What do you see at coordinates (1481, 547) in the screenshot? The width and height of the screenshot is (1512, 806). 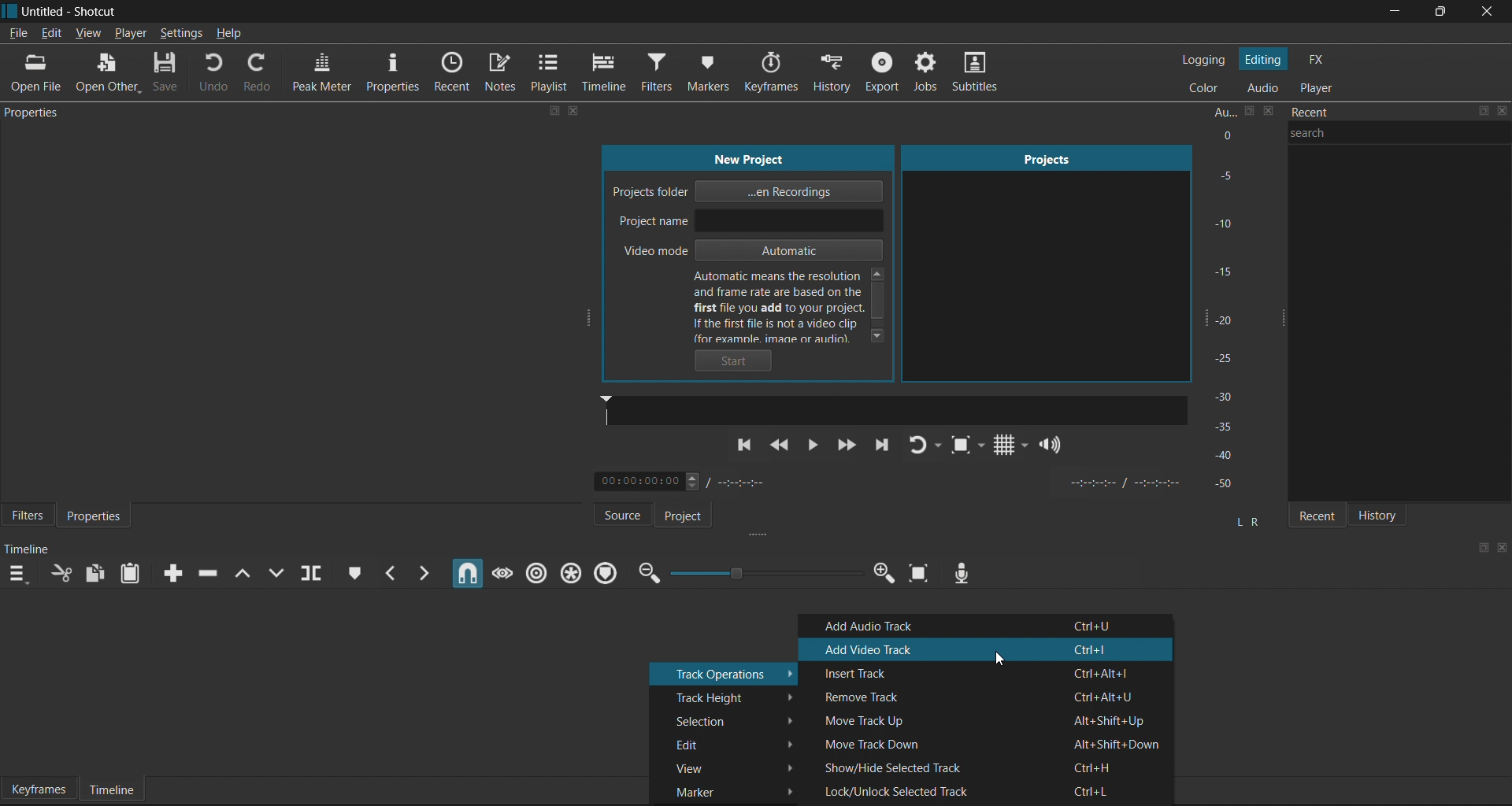 I see `maximize` at bounding box center [1481, 547].